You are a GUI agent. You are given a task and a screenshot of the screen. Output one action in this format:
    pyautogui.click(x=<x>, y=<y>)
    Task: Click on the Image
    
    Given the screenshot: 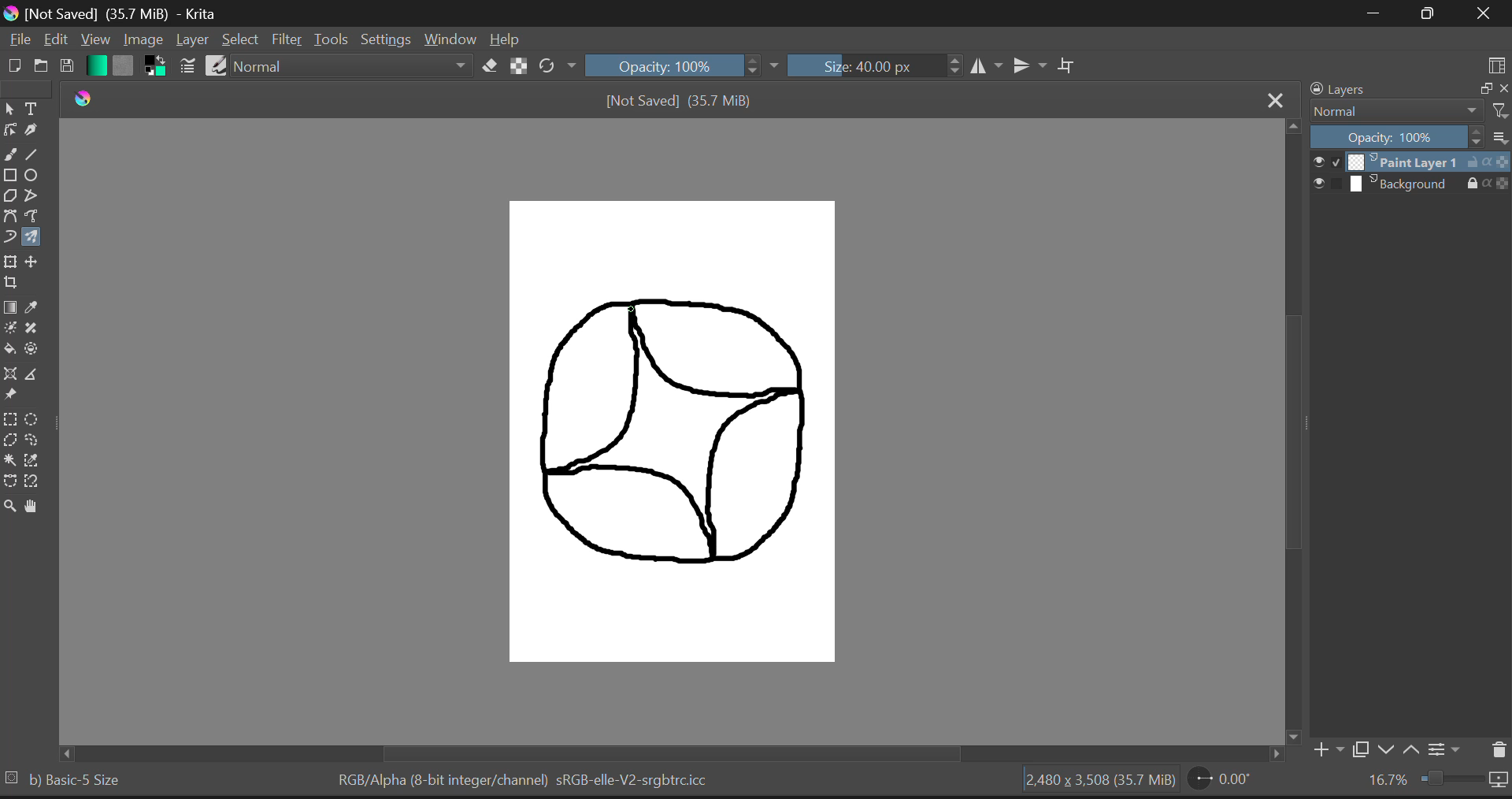 What is the action you would take?
    pyautogui.click(x=143, y=40)
    